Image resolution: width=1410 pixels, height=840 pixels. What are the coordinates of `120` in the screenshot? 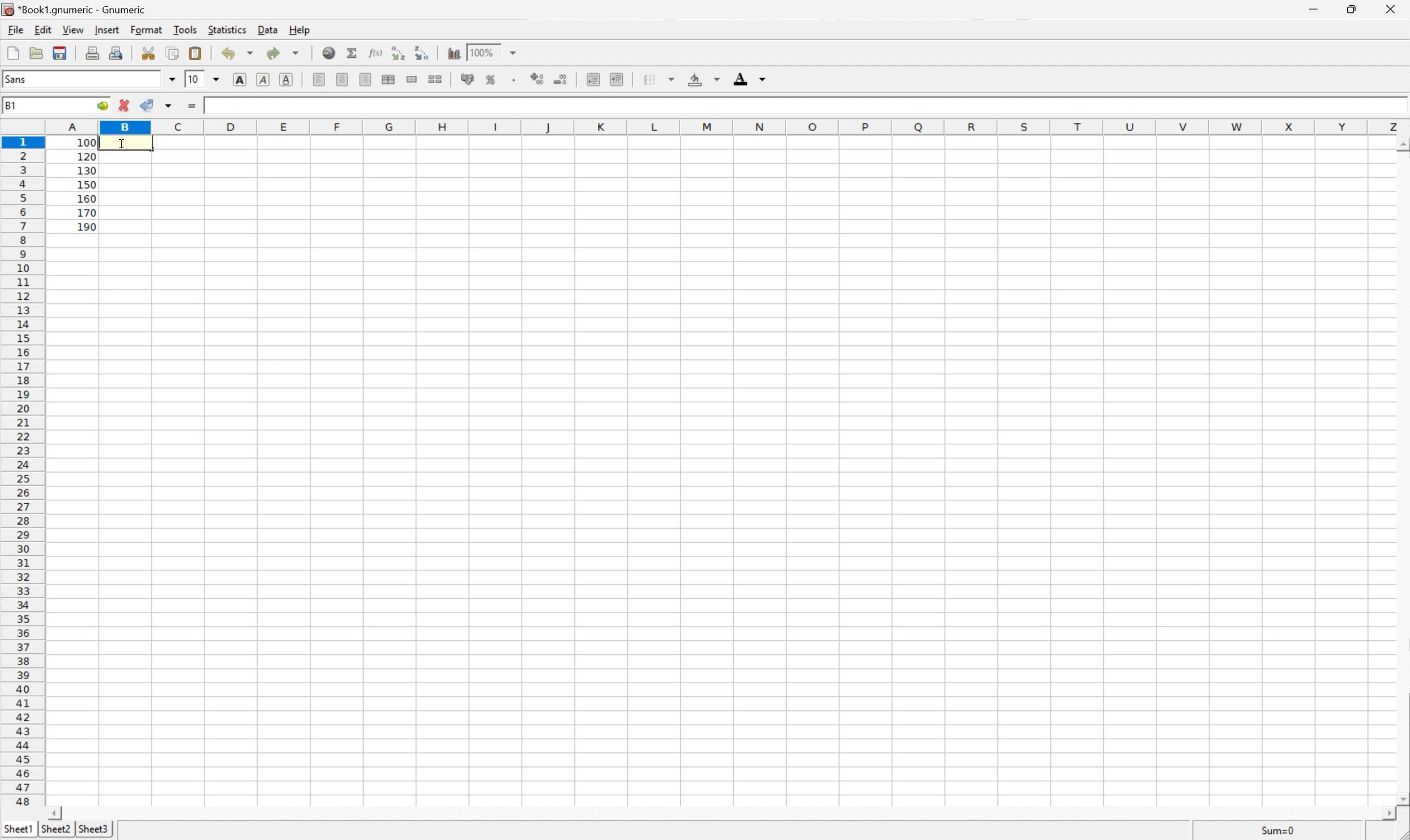 It's located at (87, 156).